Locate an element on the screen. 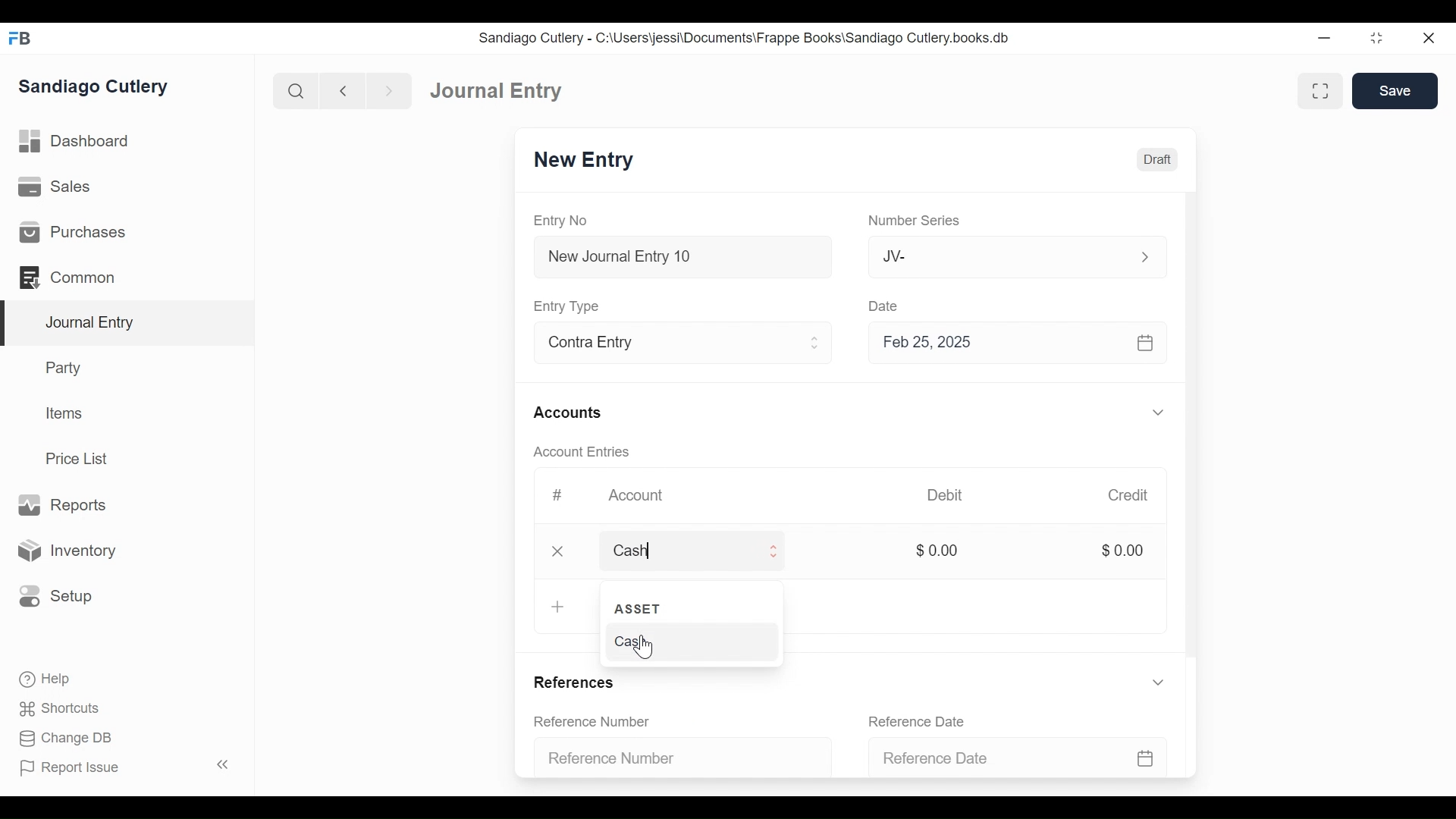 This screenshot has width=1456, height=819. Restore is located at coordinates (1376, 39).